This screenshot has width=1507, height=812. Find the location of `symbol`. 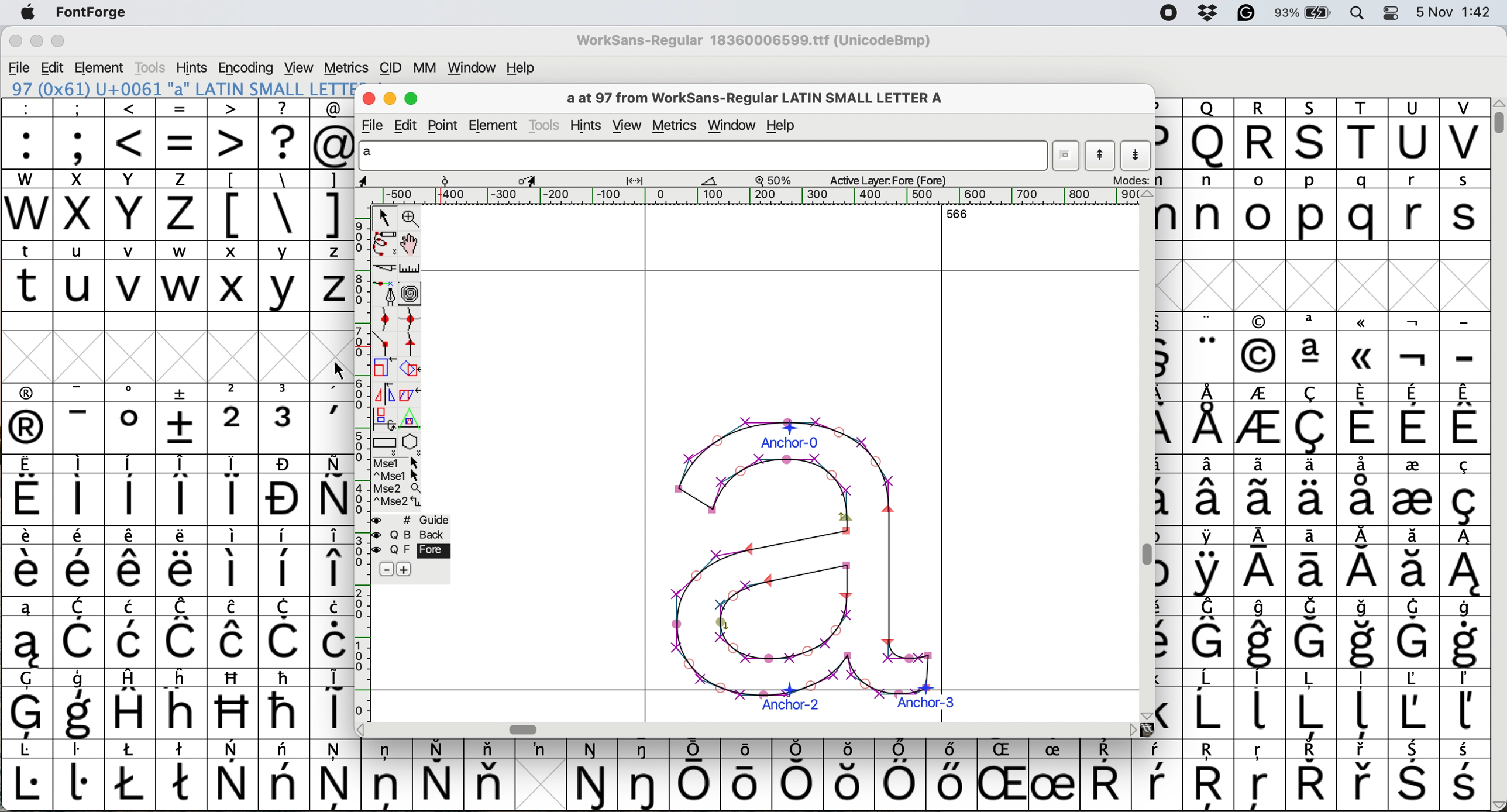

symbol is located at coordinates (1364, 347).